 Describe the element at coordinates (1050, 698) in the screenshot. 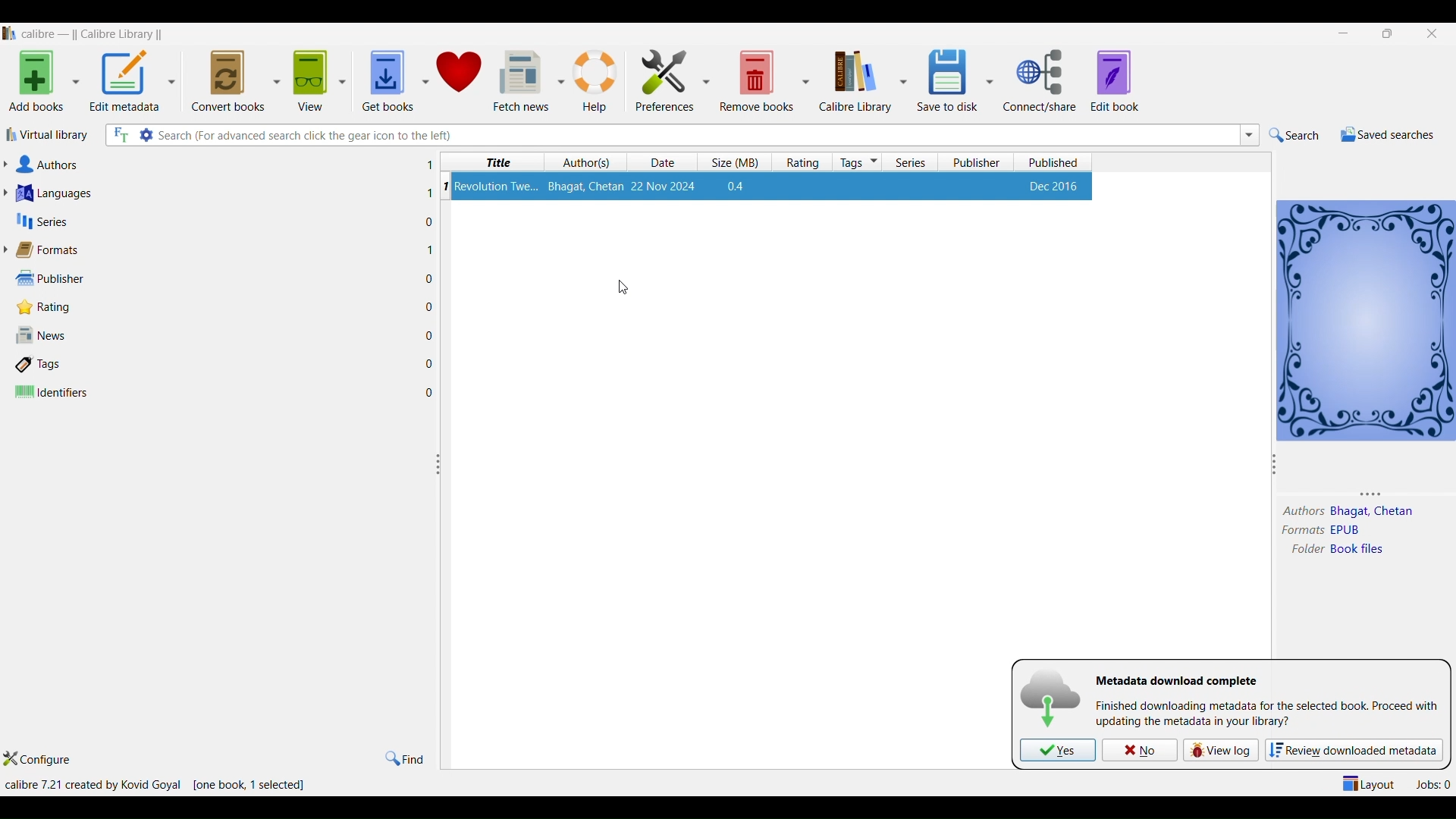

I see `download logo ` at that location.